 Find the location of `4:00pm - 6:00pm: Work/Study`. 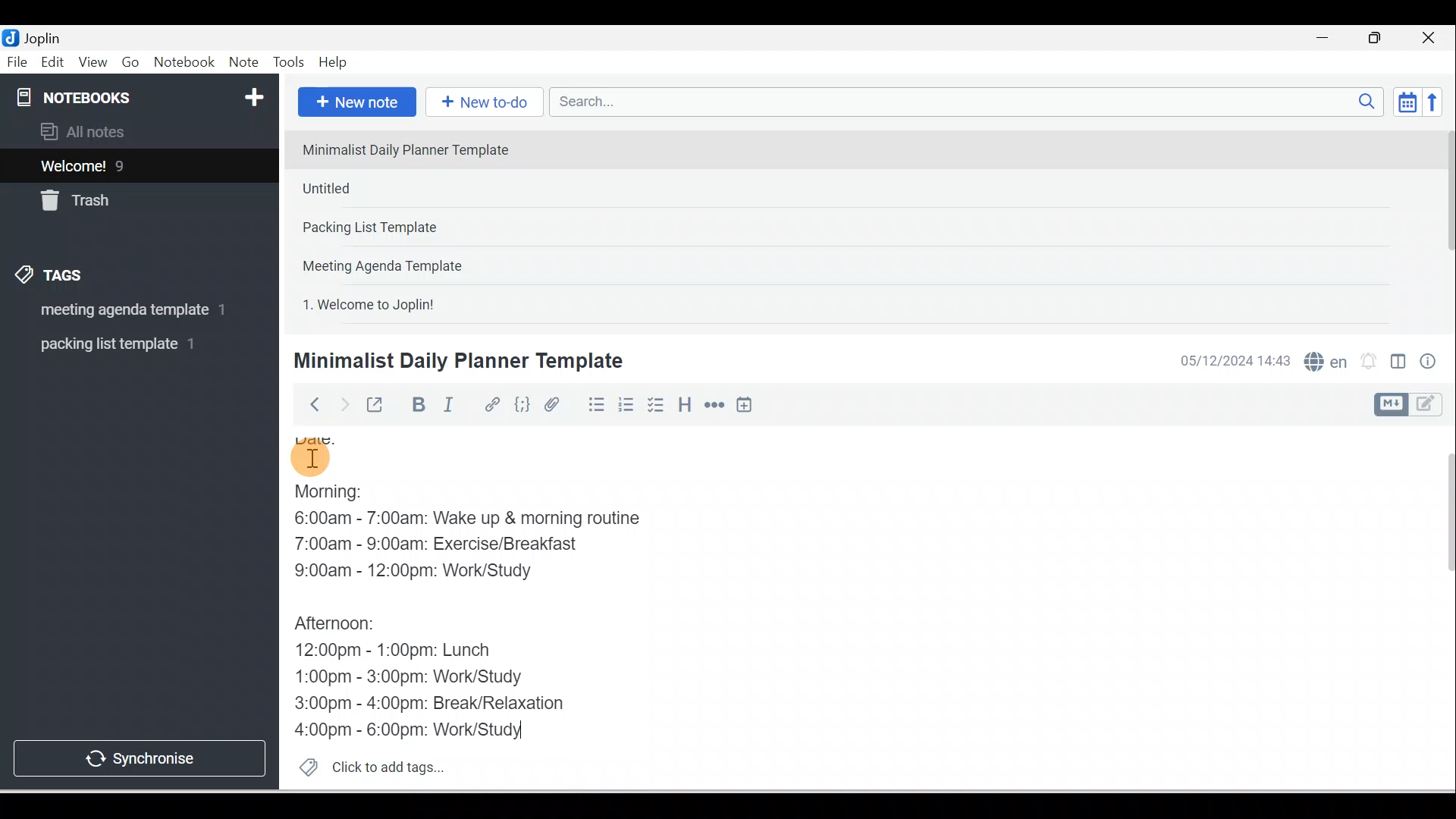

4:00pm - 6:00pm: Work/Study is located at coordinates (413, 732).